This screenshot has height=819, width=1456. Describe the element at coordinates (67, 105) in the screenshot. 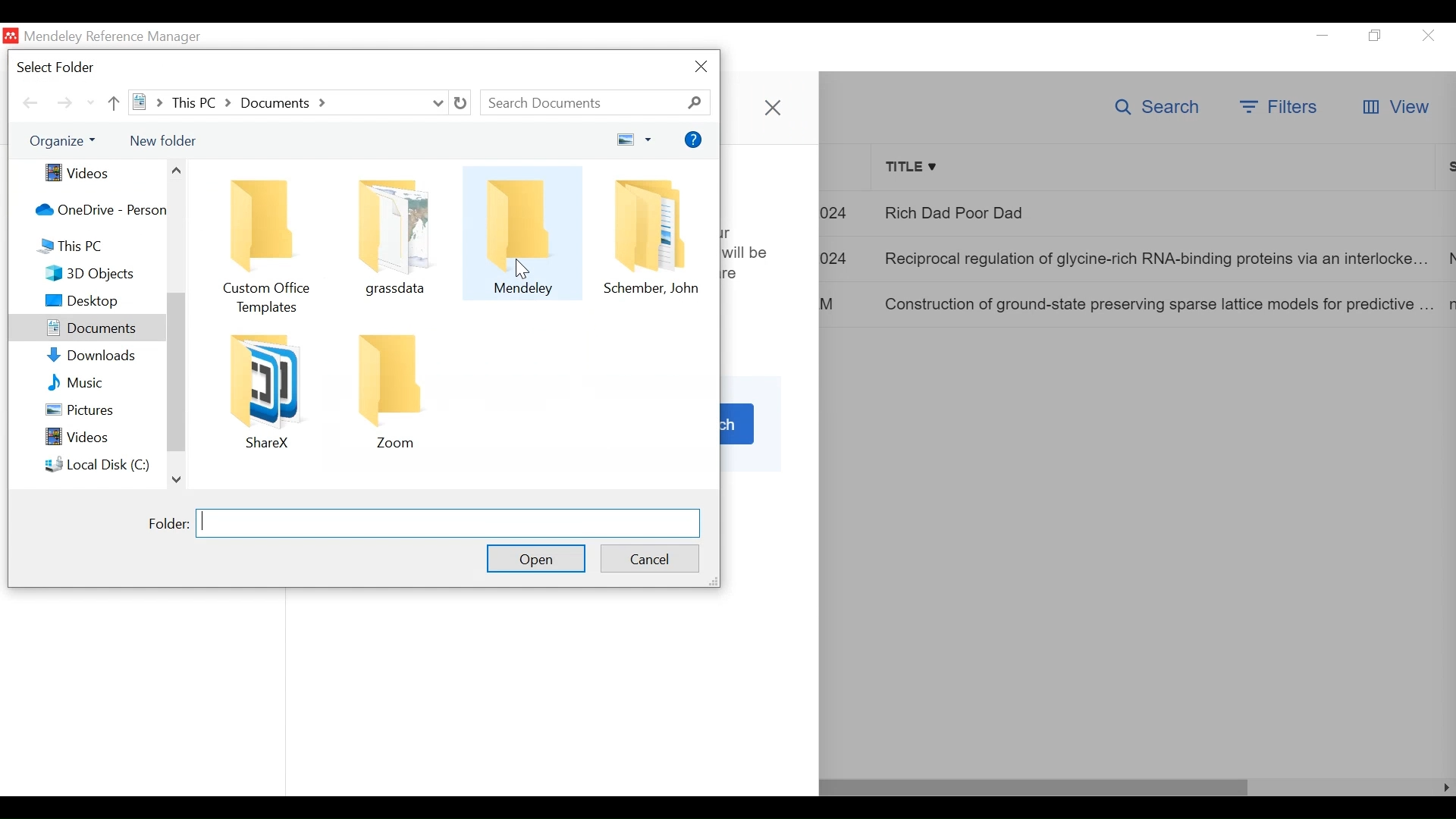

I see `Navigate Forward` at that location.